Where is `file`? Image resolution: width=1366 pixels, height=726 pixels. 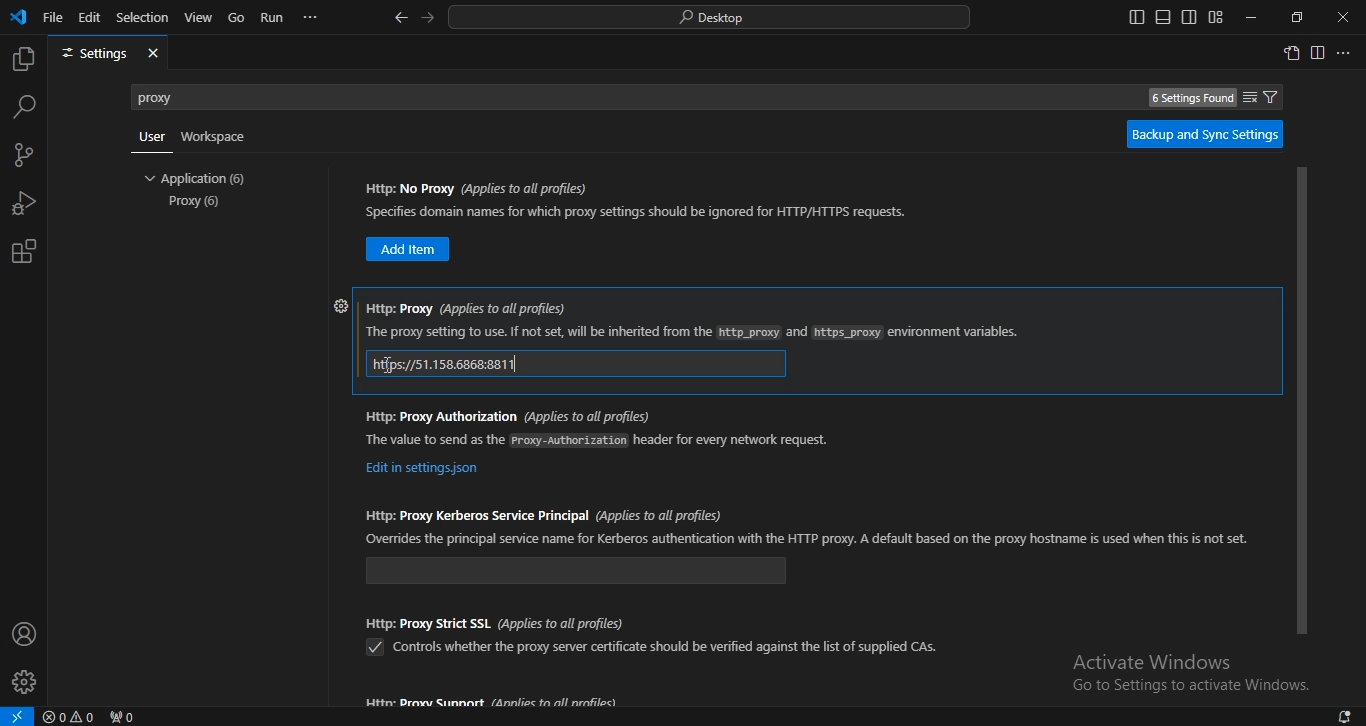
file is located at coordinates (54, 16).